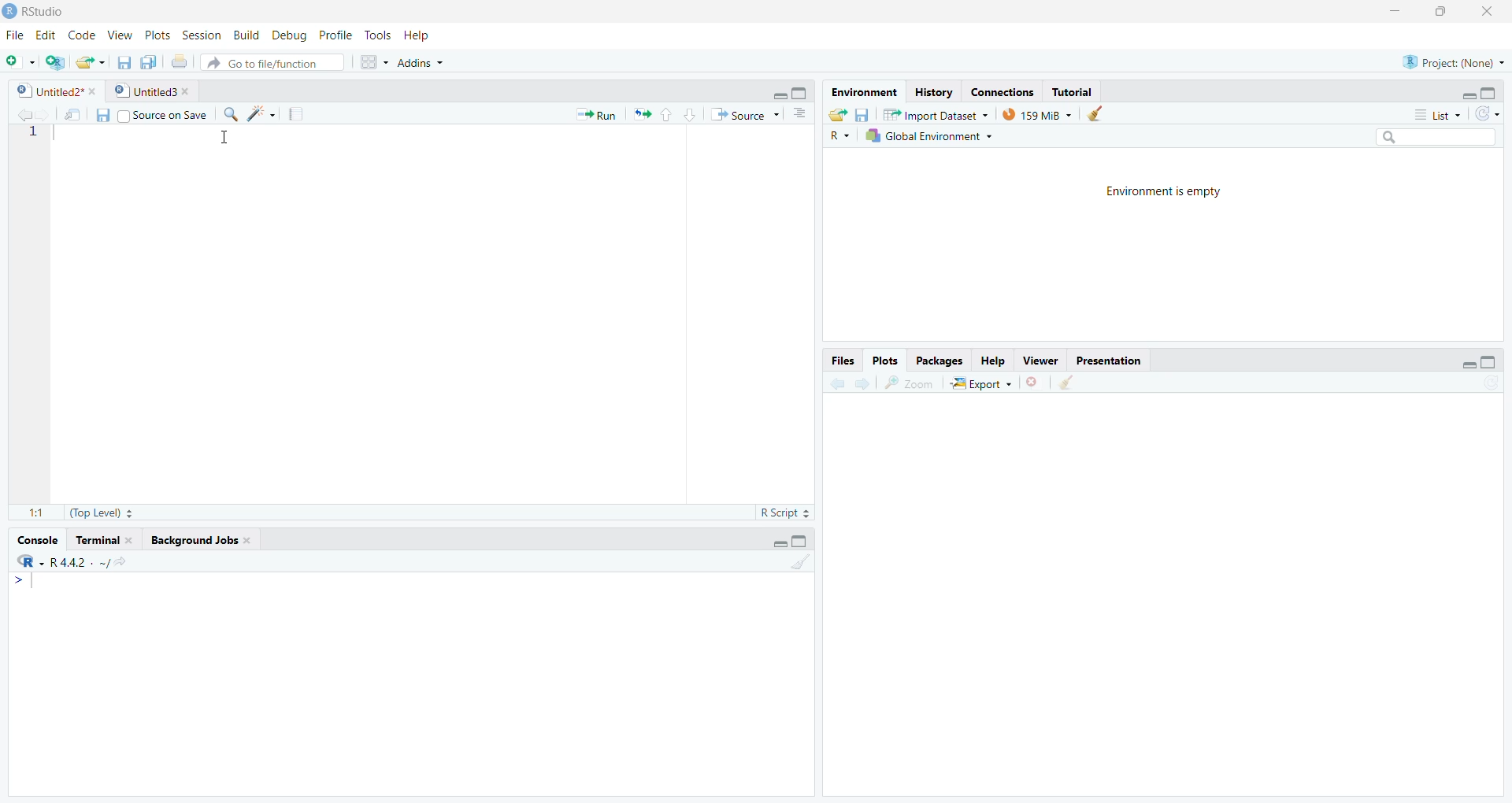 The width and height of the screenshot is (1512, 803). Describe the element at coordinates (1492, 93) in the screenshot. I see `Maximize` at that location.